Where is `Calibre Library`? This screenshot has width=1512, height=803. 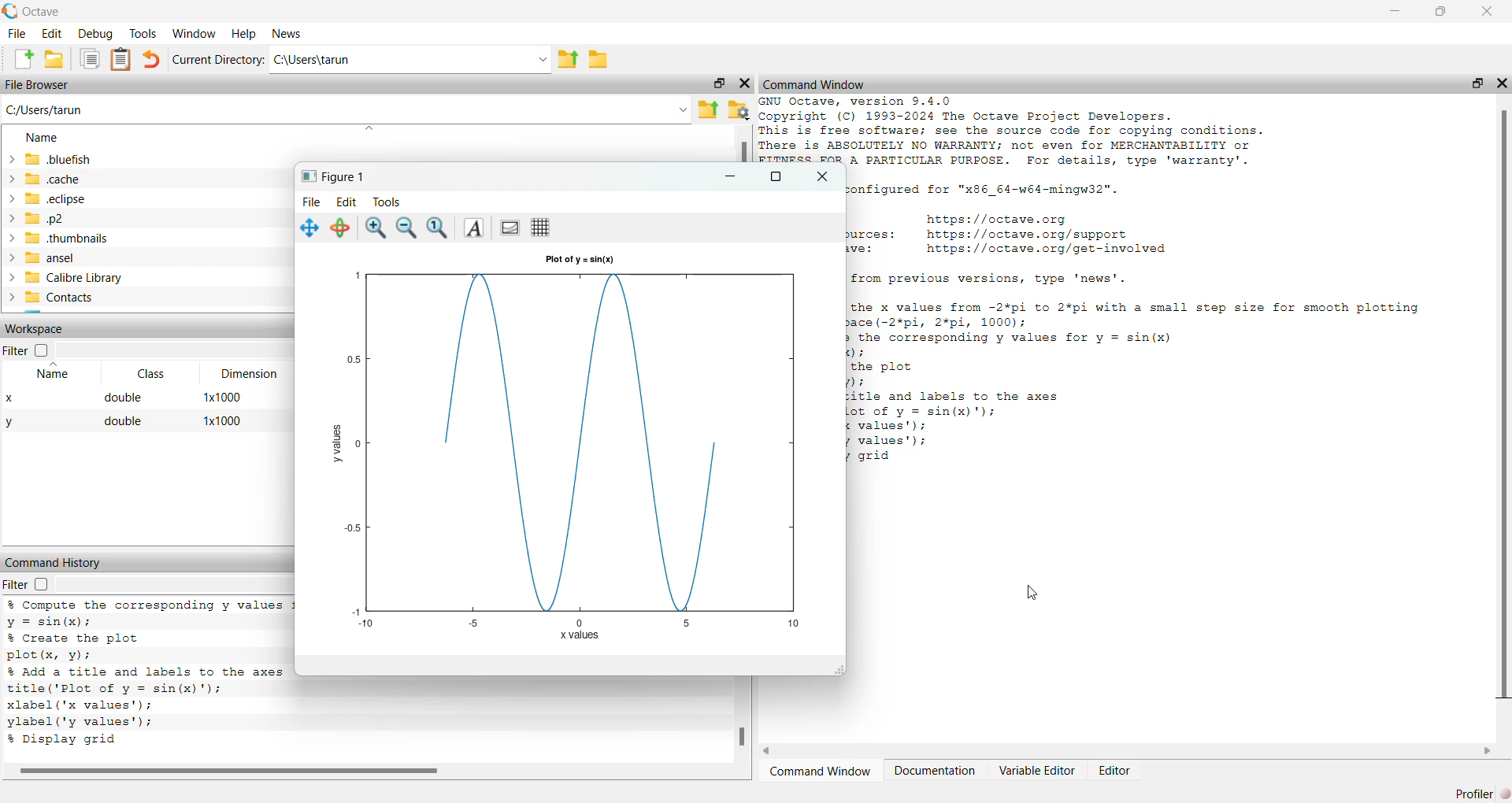 Calibre Library is located at coordinates (65, 279).